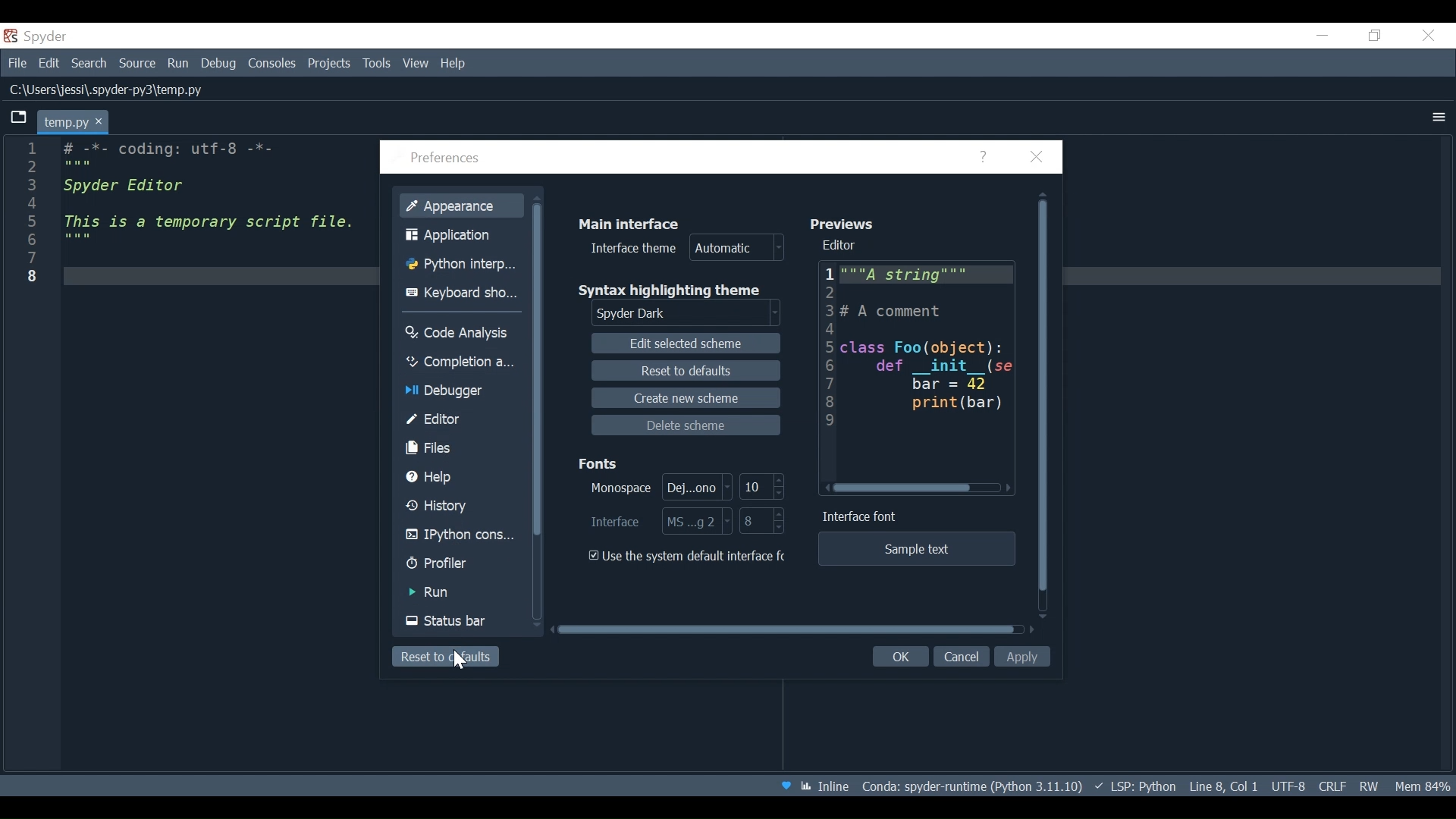  What do you see at coordinates (691, 556) in the screenshot?
I see `(un)check the system default interface font` at bounding box center [691, 556].